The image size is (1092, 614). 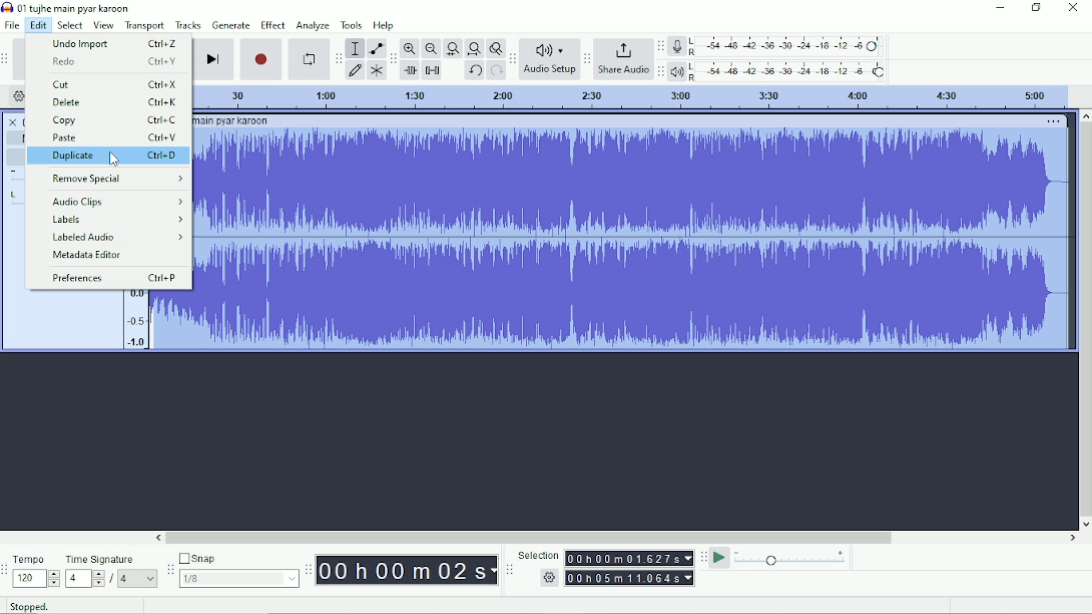 I want to click on TIME, so click(x=631, y=99).